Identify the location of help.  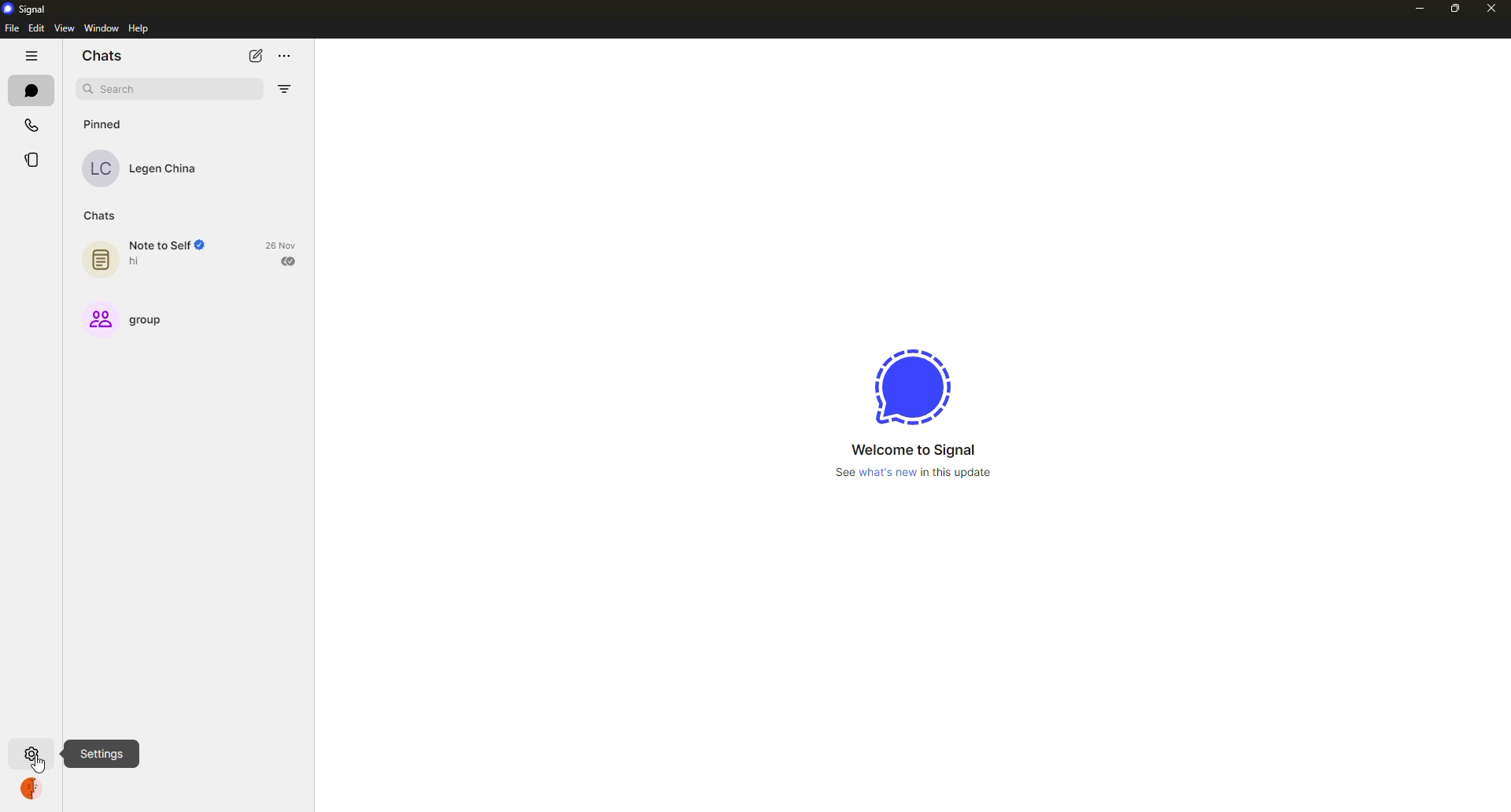
(140, 29).